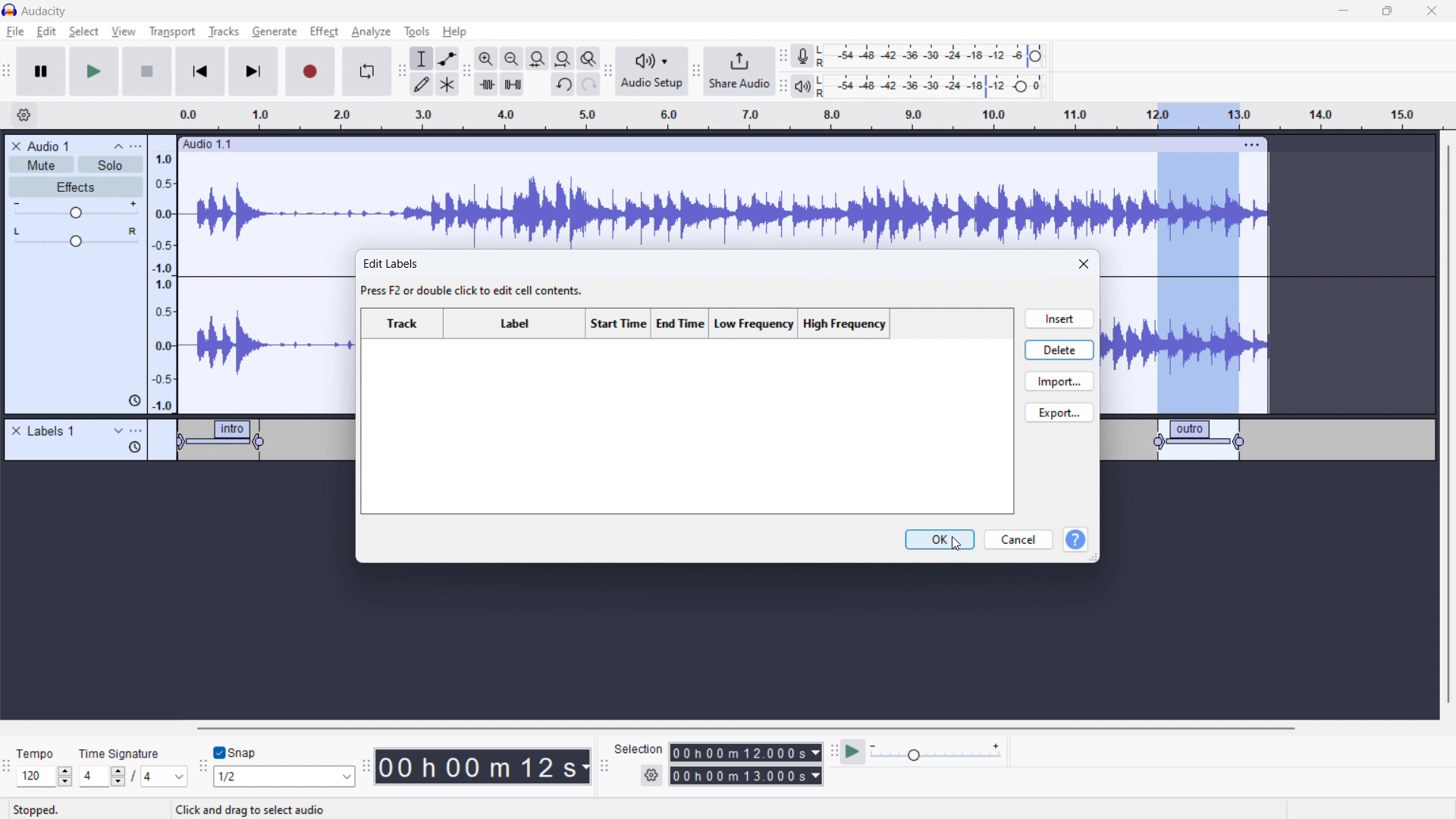 This screenshot has height=819, width=1456. I want to click on labels options, so click(136, 432).